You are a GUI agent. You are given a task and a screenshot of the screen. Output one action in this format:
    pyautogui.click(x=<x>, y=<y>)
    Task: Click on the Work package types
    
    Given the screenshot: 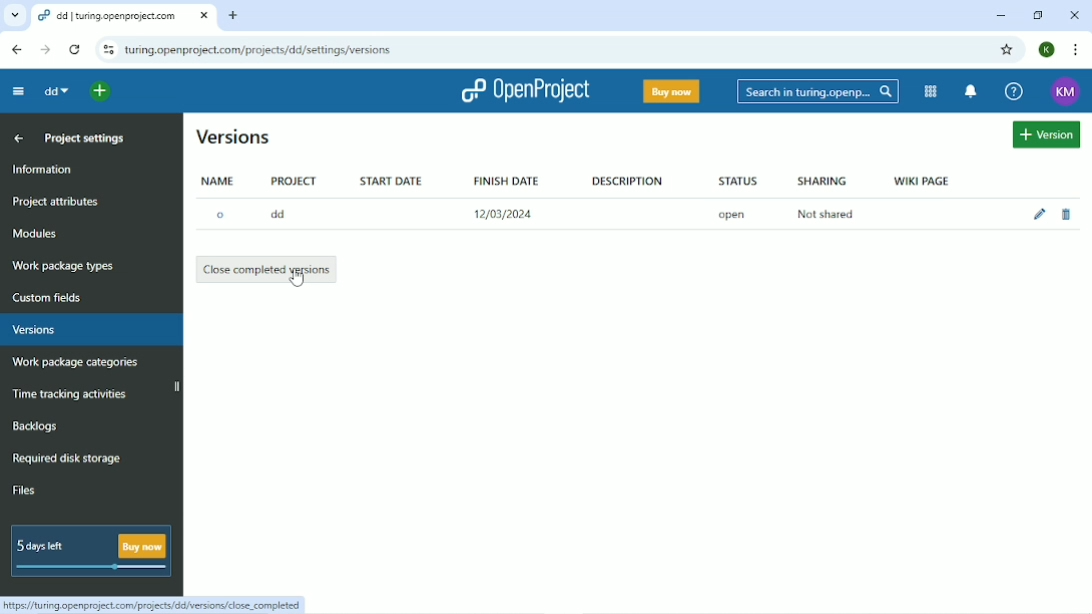 What is the action you would take?
    pyautogui.click(x=63, y=266)
    